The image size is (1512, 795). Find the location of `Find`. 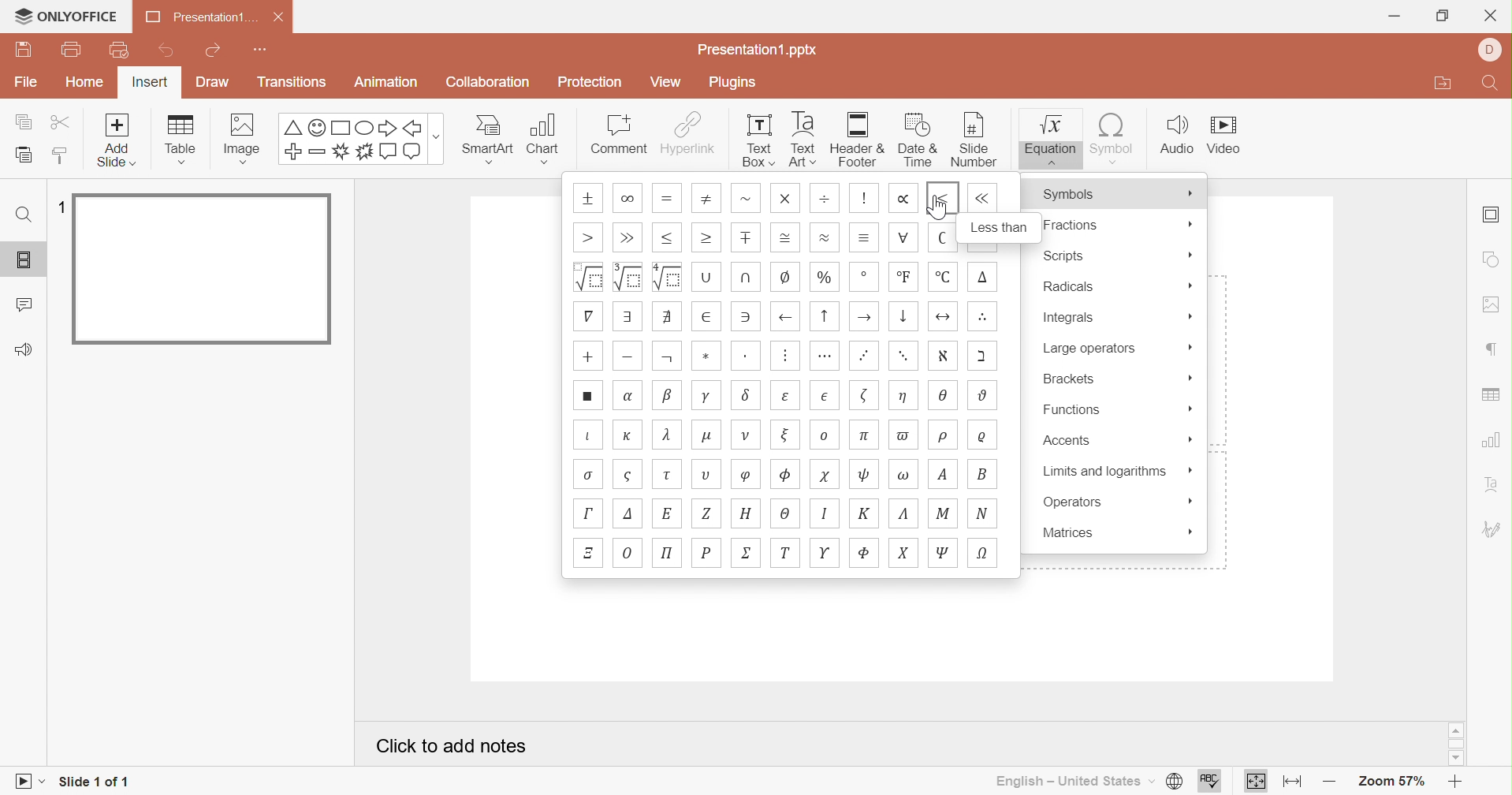

Find is located at coordinates (1494, 84).